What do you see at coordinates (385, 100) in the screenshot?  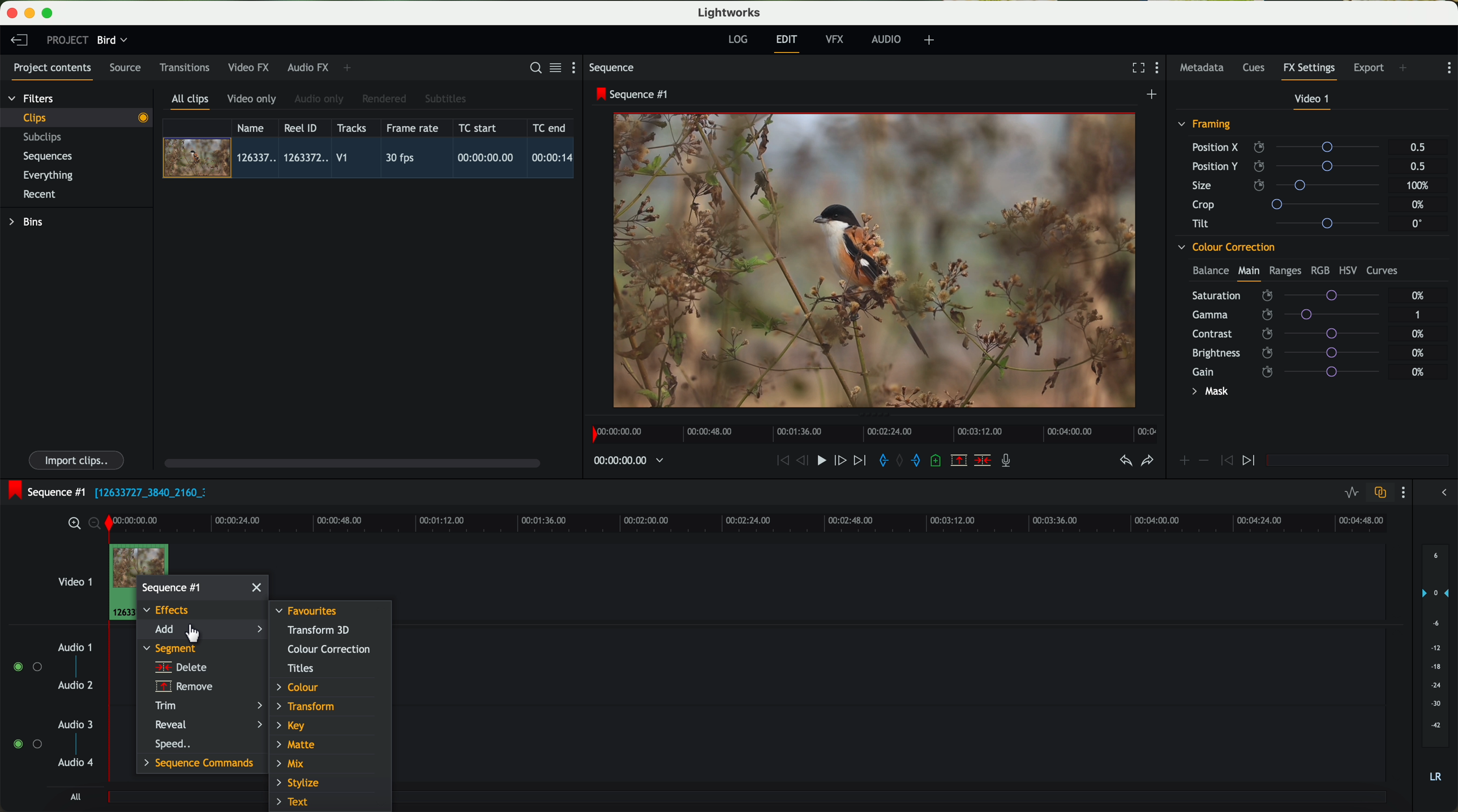 I see `rendered` at bounding box center [385, 100].